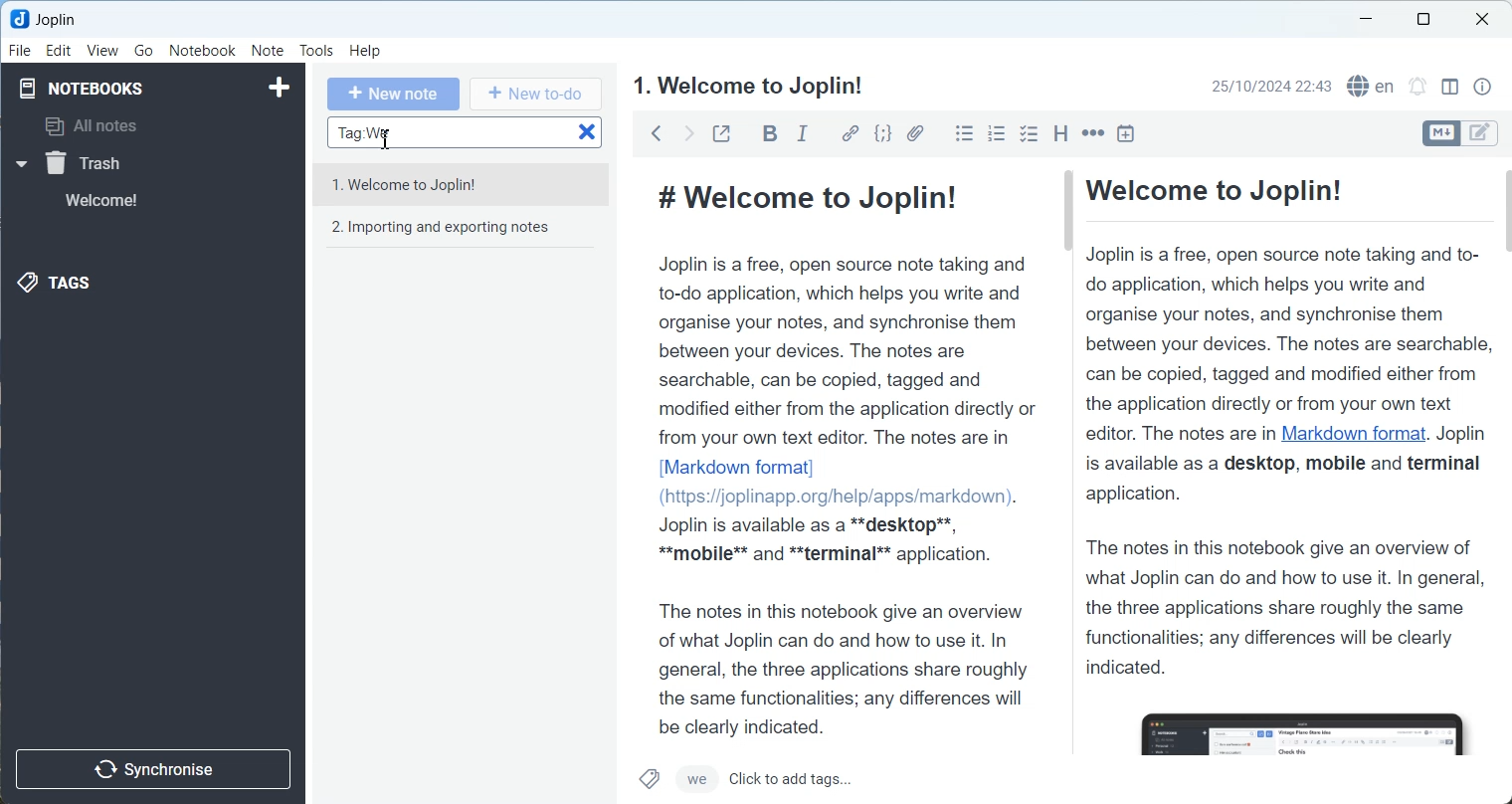 The width and height of the screenshot is (1512, 804). Describe the element at coordinates (57, 19) in the screenshot. I see `Logo` at that location.